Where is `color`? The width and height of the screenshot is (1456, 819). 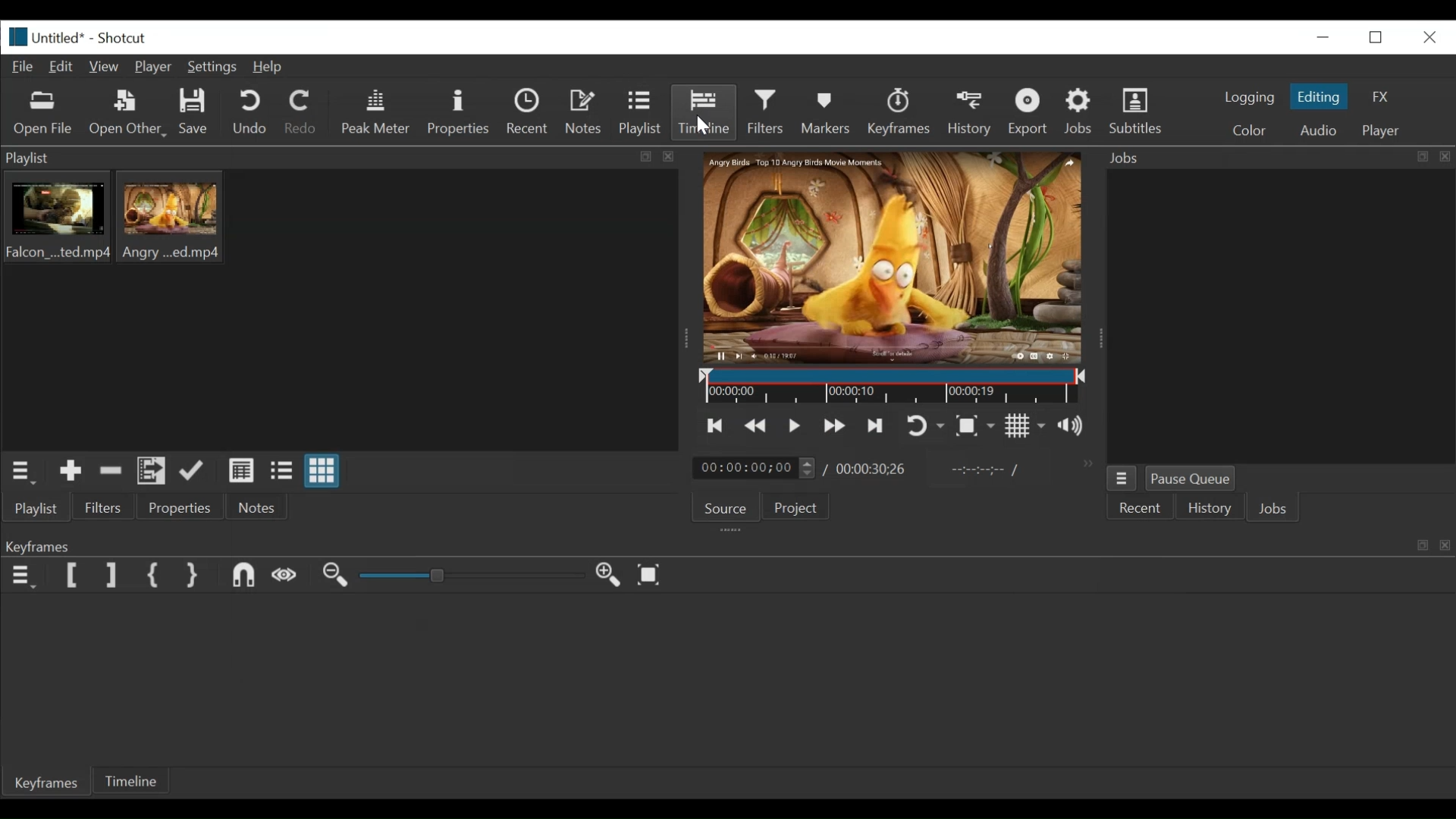
color is located at coordinates (1248, 132).